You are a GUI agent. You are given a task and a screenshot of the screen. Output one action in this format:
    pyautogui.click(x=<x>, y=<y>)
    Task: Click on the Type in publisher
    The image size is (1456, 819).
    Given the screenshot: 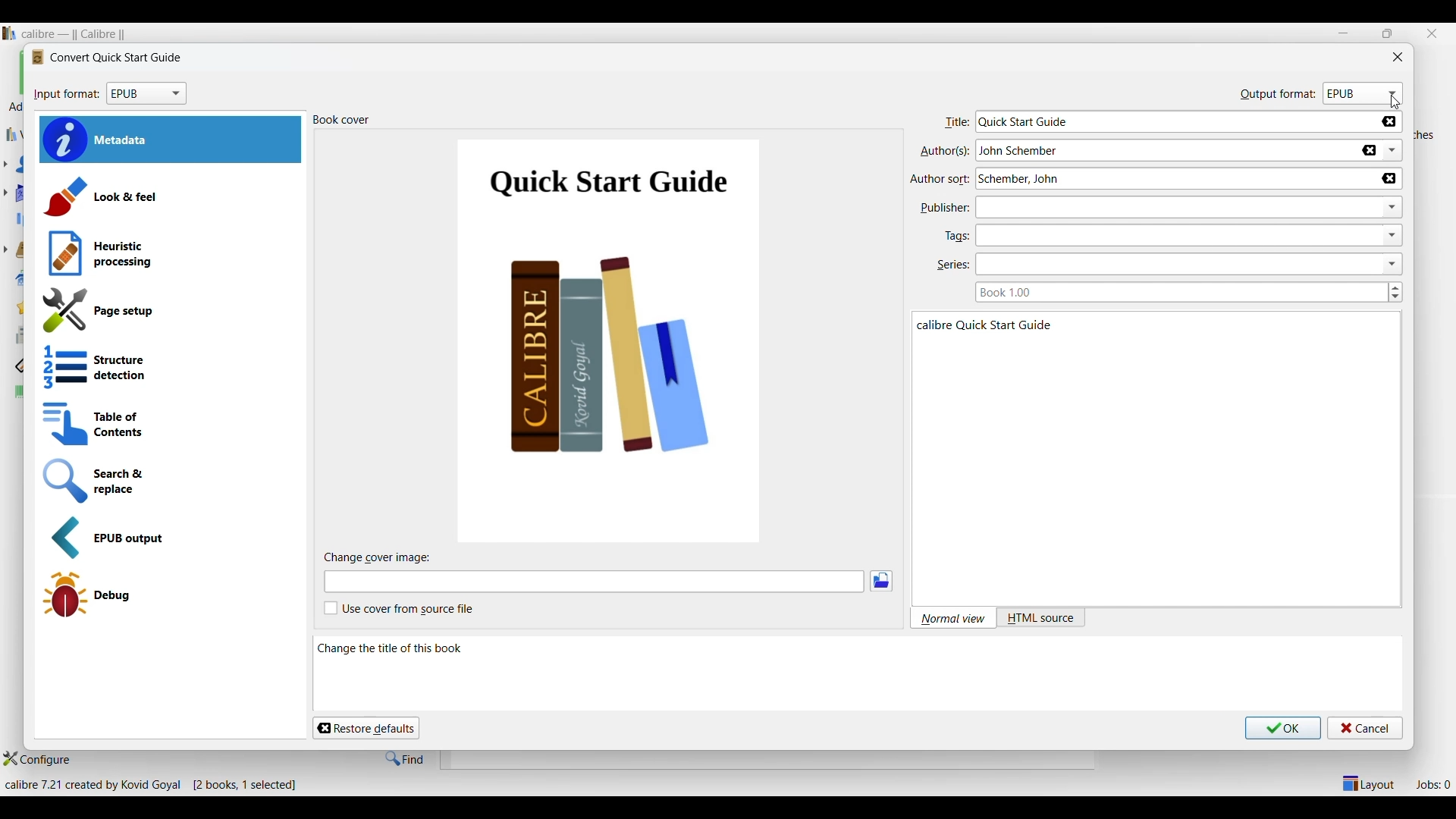 What is the action you would take?
    pyautogui.click(x=1177, y=207)
    